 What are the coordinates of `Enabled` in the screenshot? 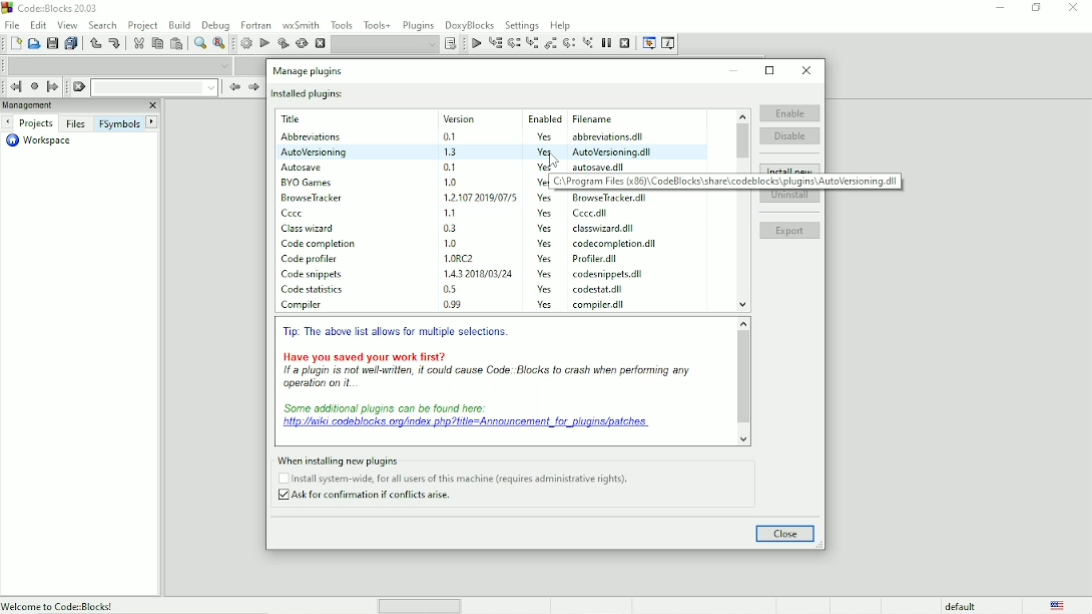 It's located at (544, 119).